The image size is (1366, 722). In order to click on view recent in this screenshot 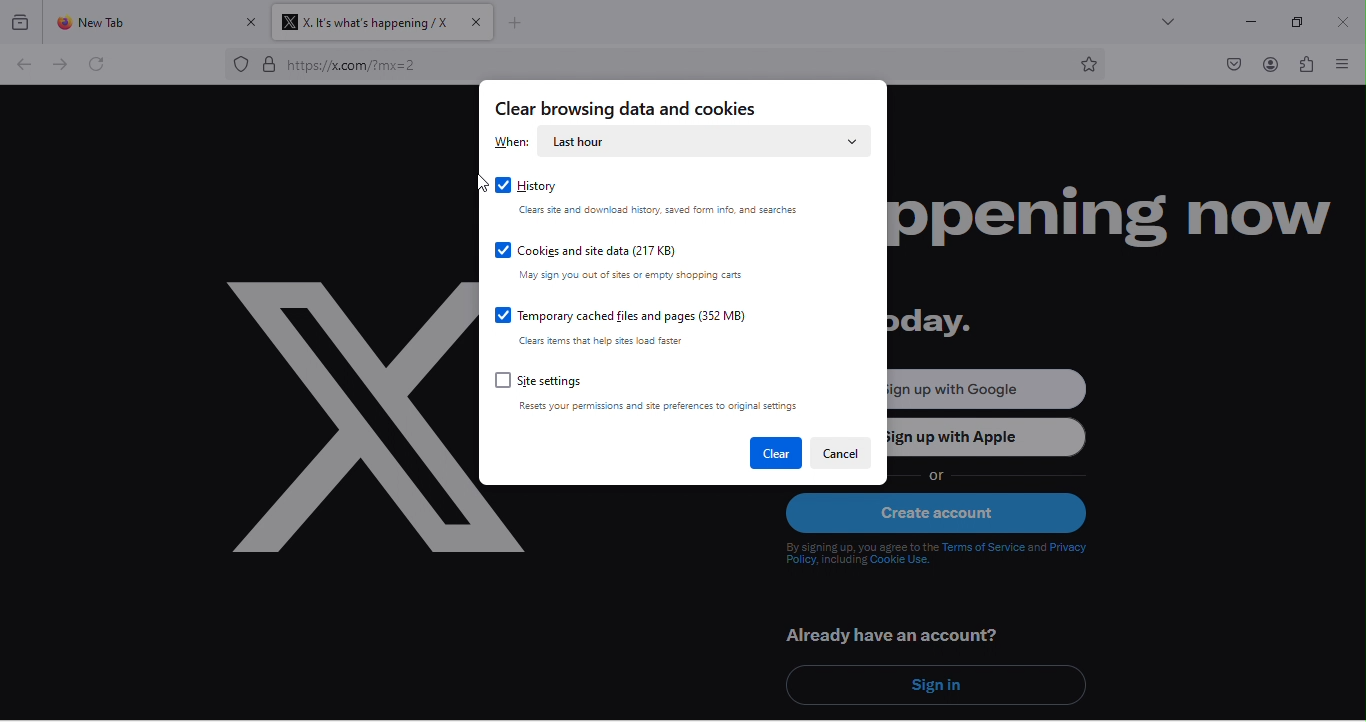, I will do `click(23, 23)`.